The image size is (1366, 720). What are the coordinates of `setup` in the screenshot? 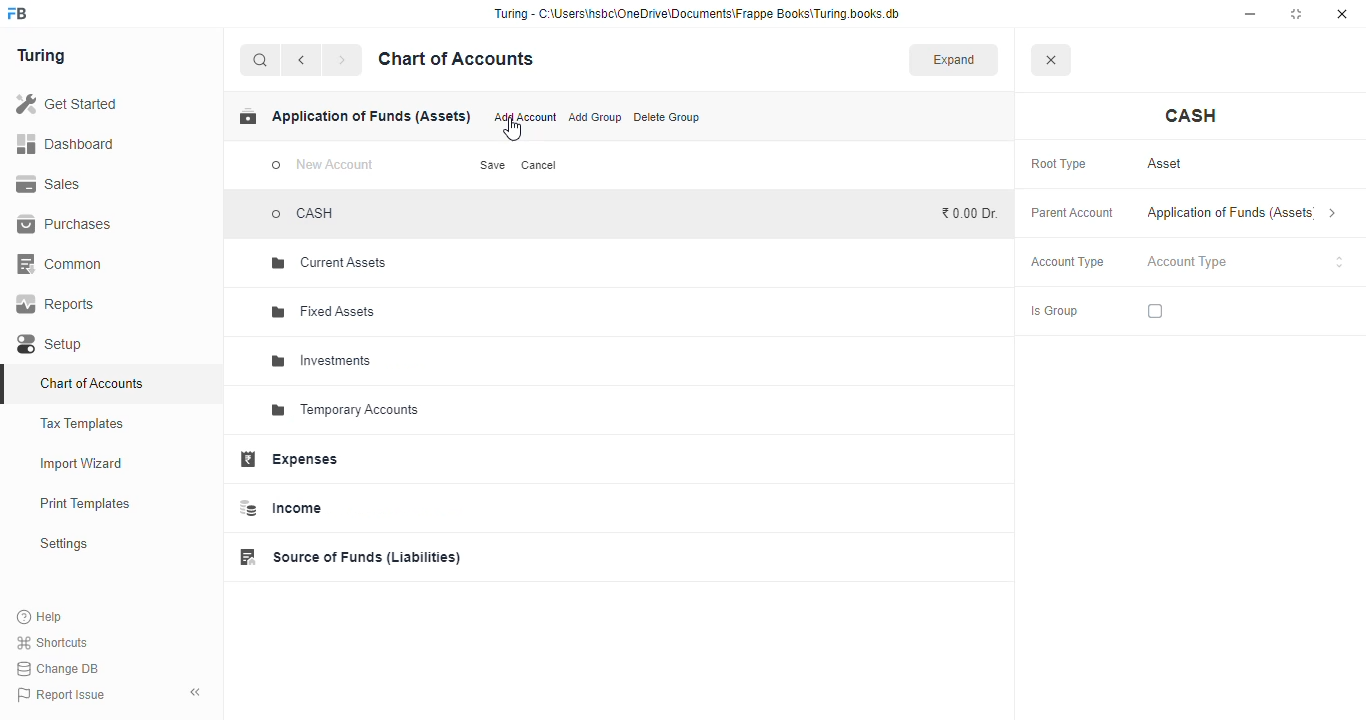 It's located at (52, 344).